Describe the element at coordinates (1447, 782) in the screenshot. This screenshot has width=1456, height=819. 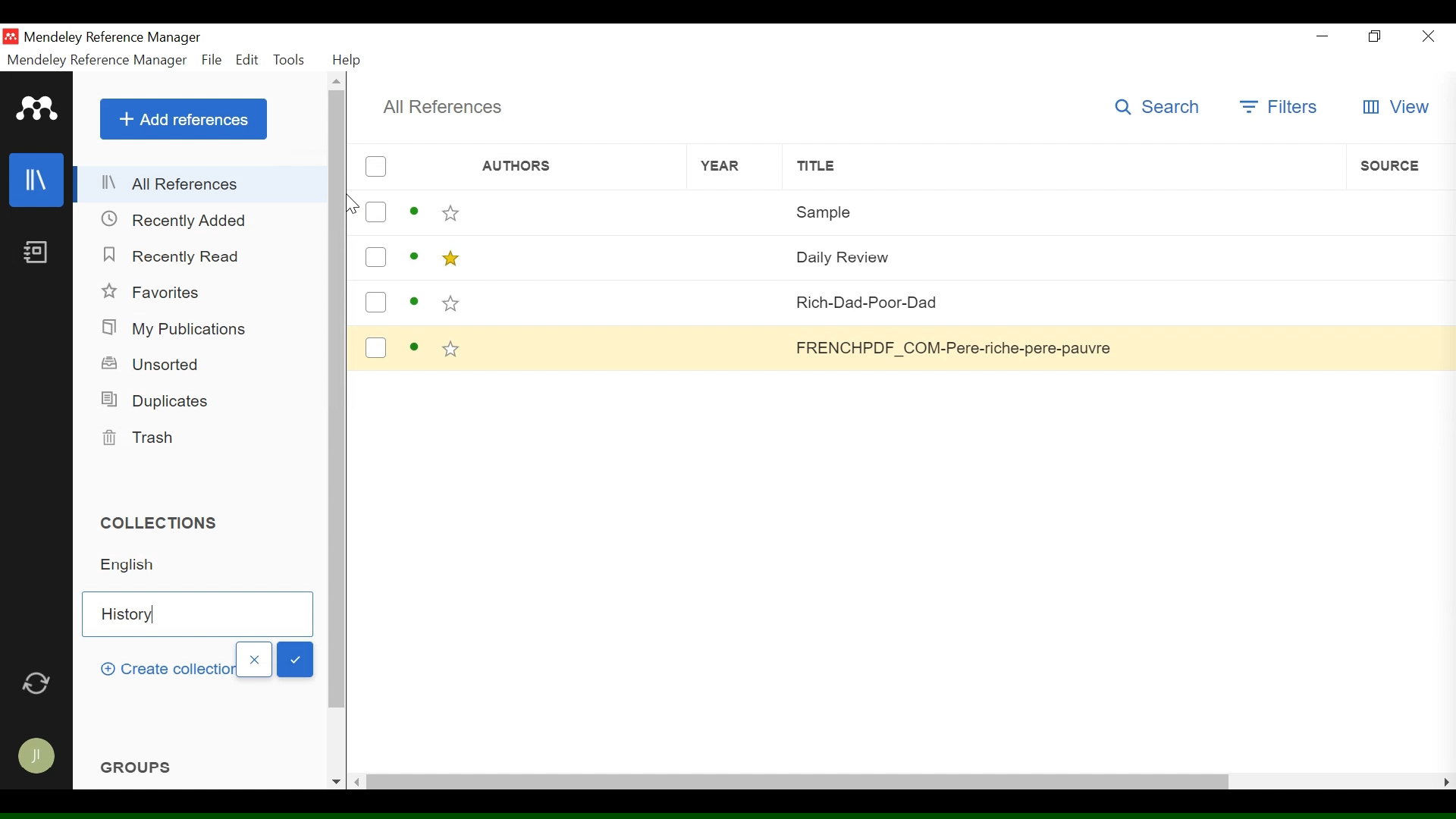
I see `Scroll Right` at that location.